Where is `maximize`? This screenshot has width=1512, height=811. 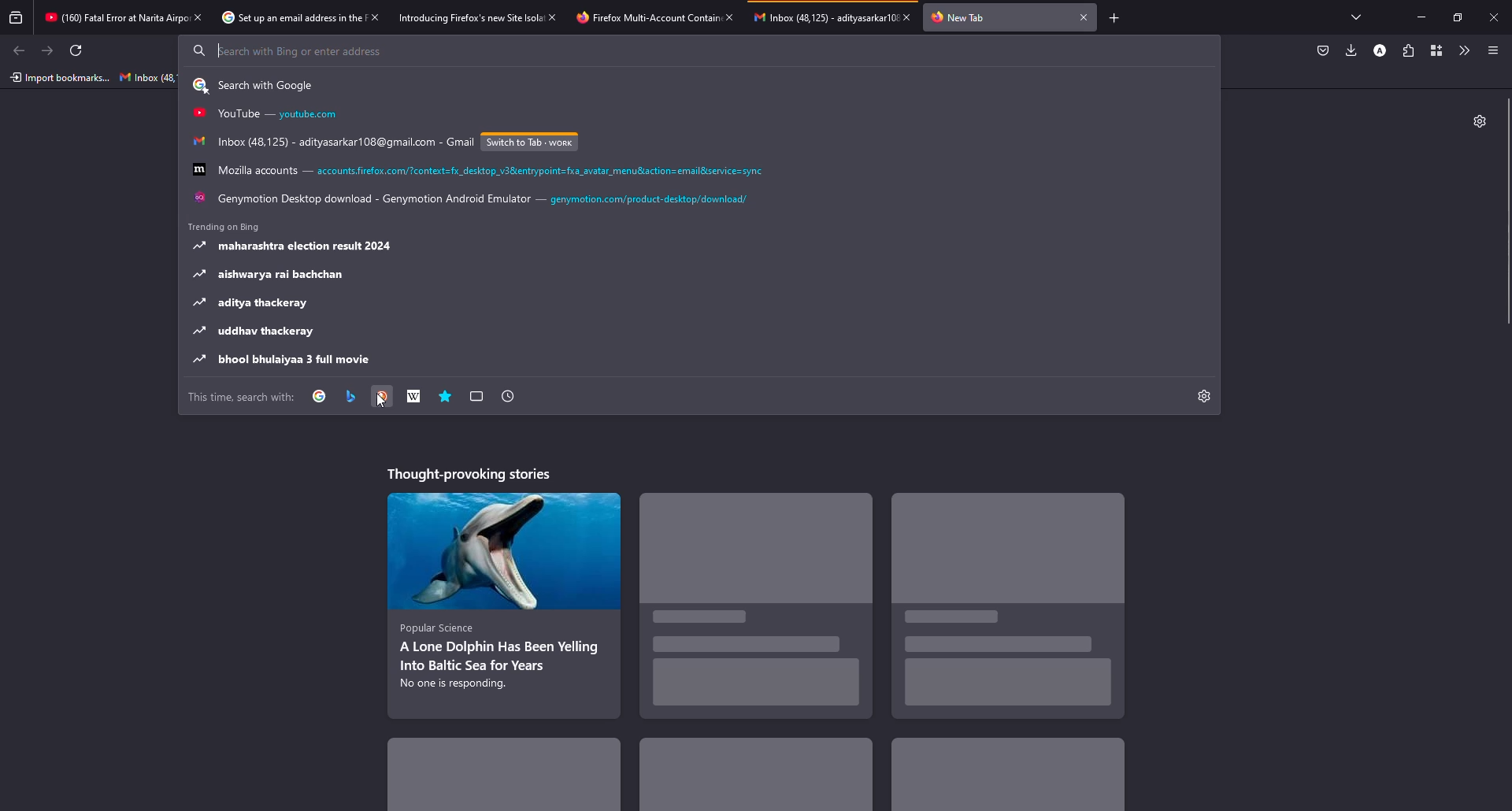 maximize is located at coordinates (1455, 17).